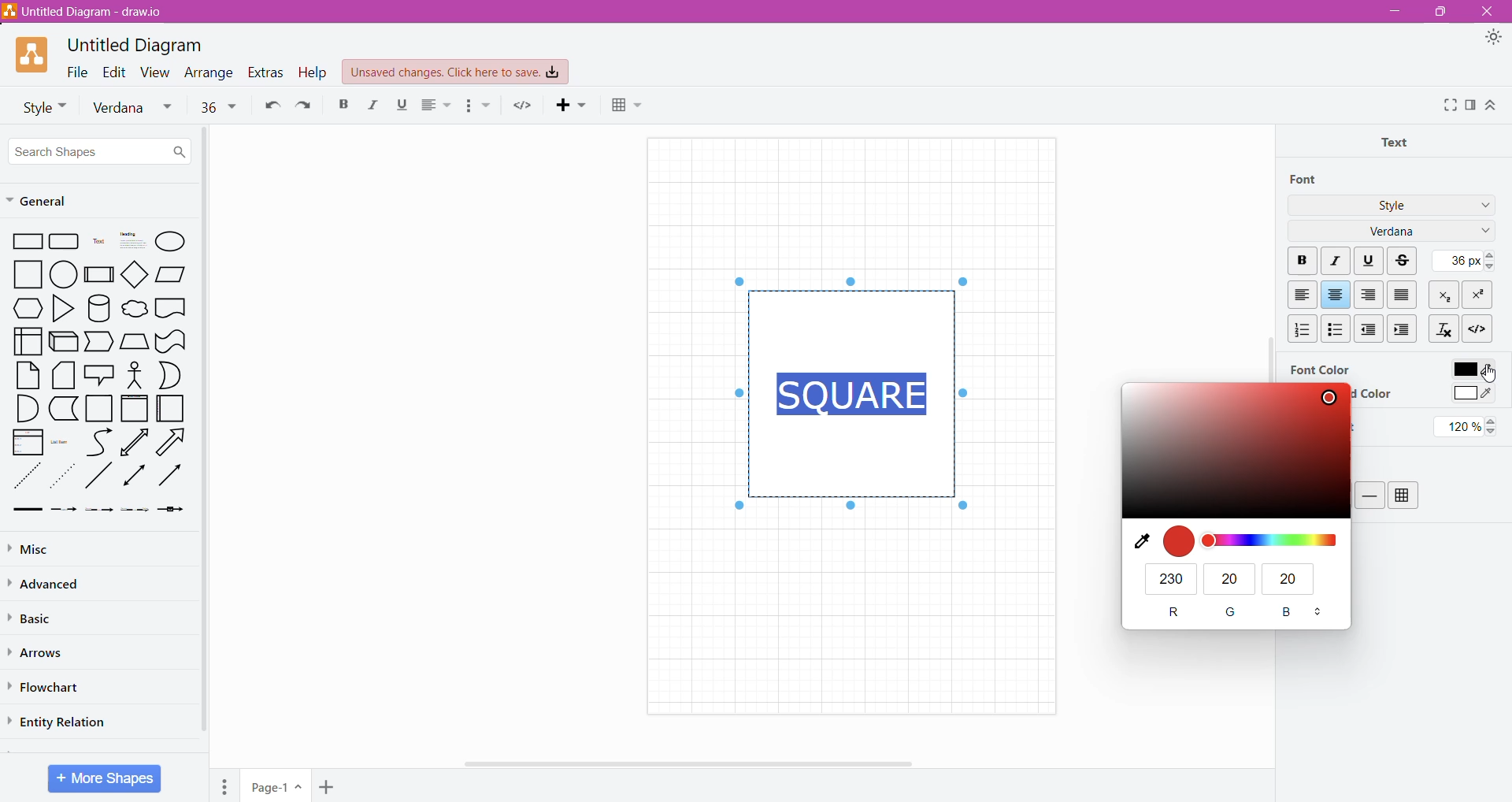 This screenshot has height=802, width=1512. Describe the element at coordinates (171, 307) in the screenshot. I see `document` at that location.